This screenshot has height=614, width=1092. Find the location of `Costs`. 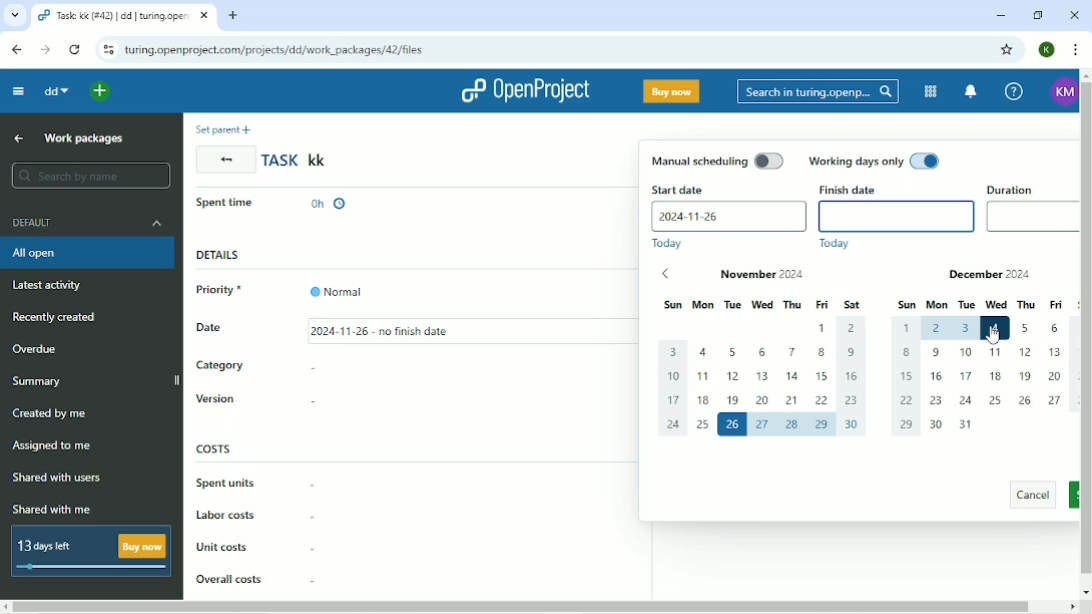

Costs is located at coordinates (215, 448).